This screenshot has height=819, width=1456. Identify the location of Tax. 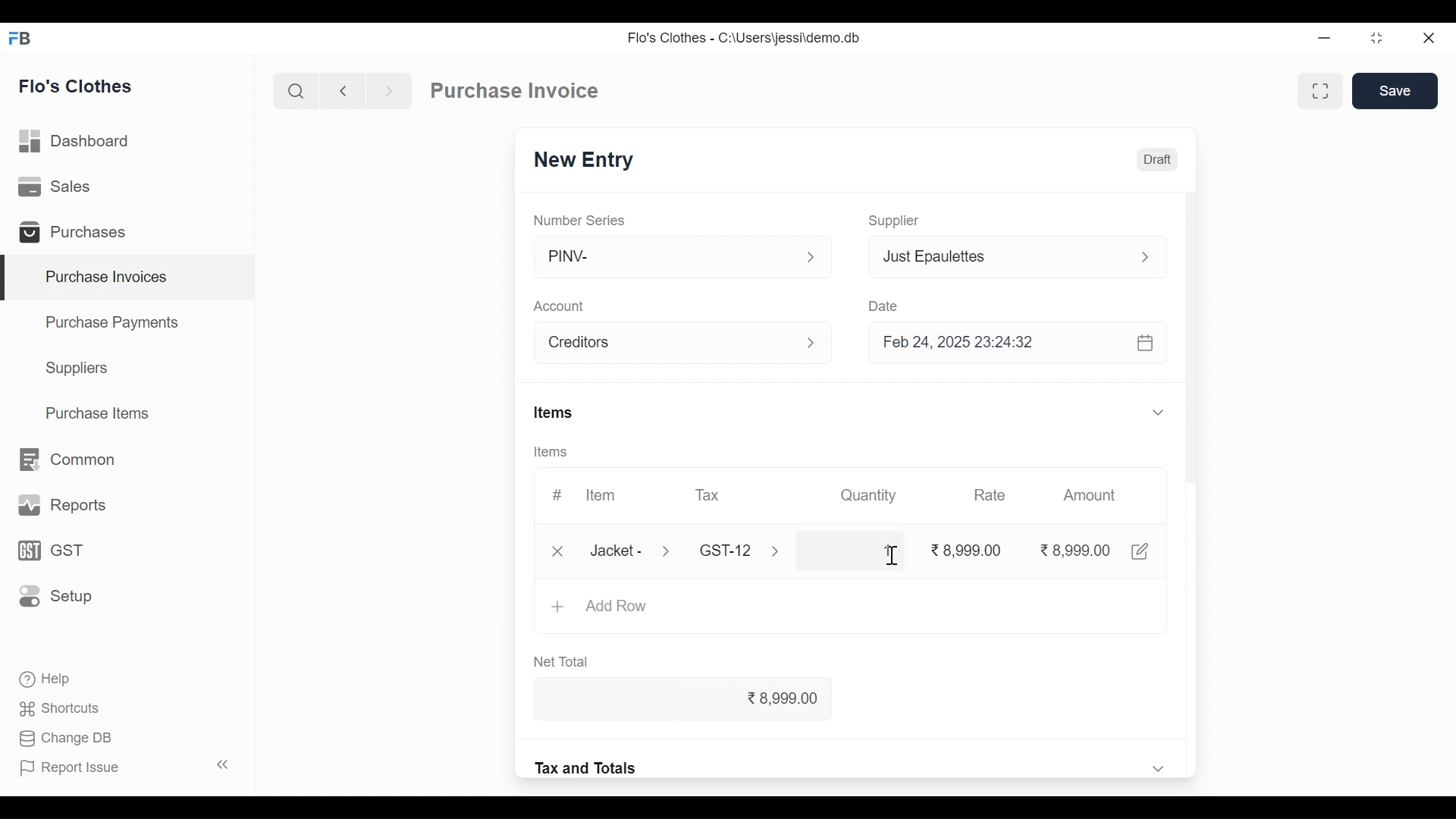
(729, 550).